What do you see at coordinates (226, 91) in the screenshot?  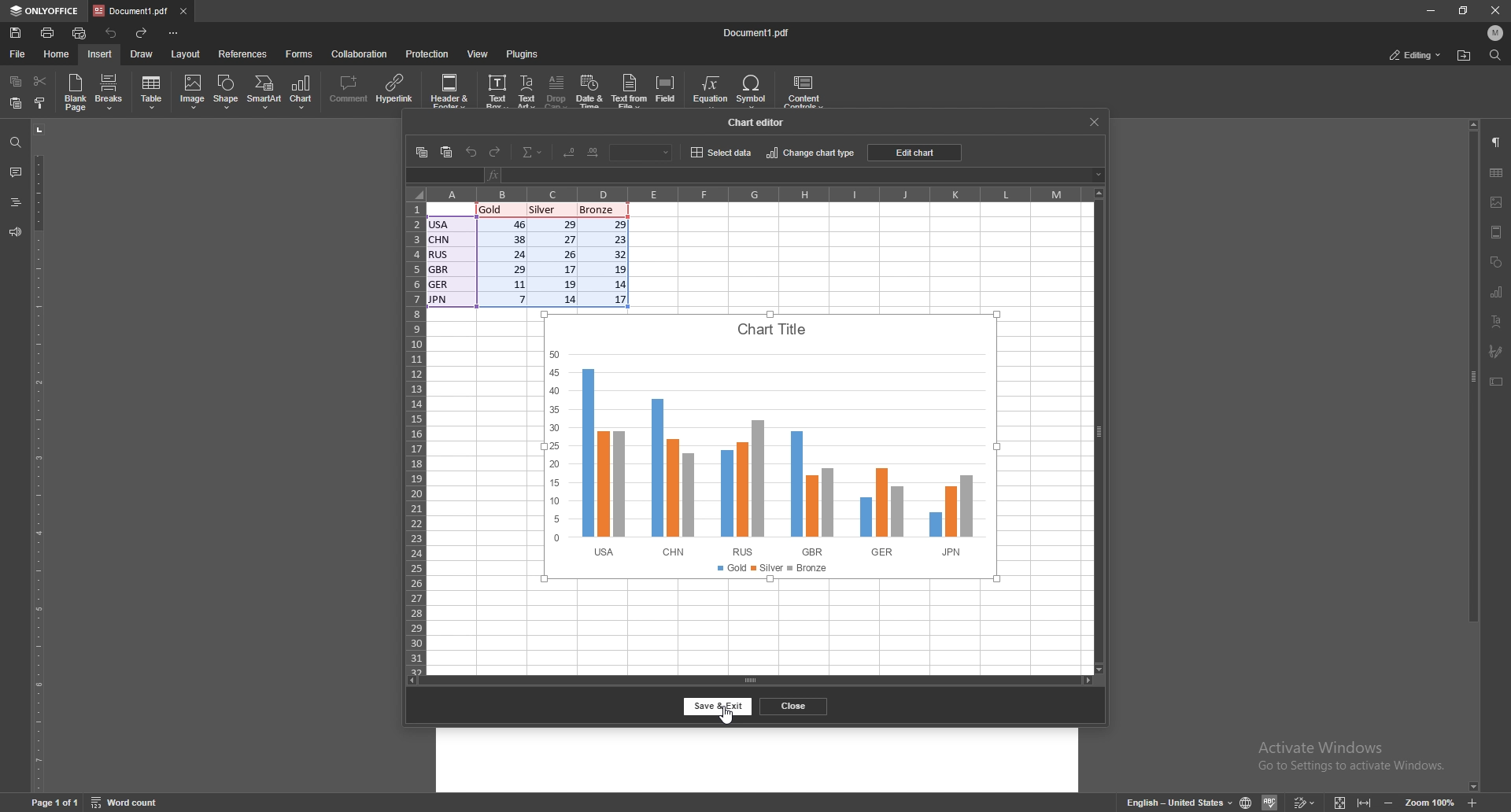 I see `shape` at bounding box center [226, 91].